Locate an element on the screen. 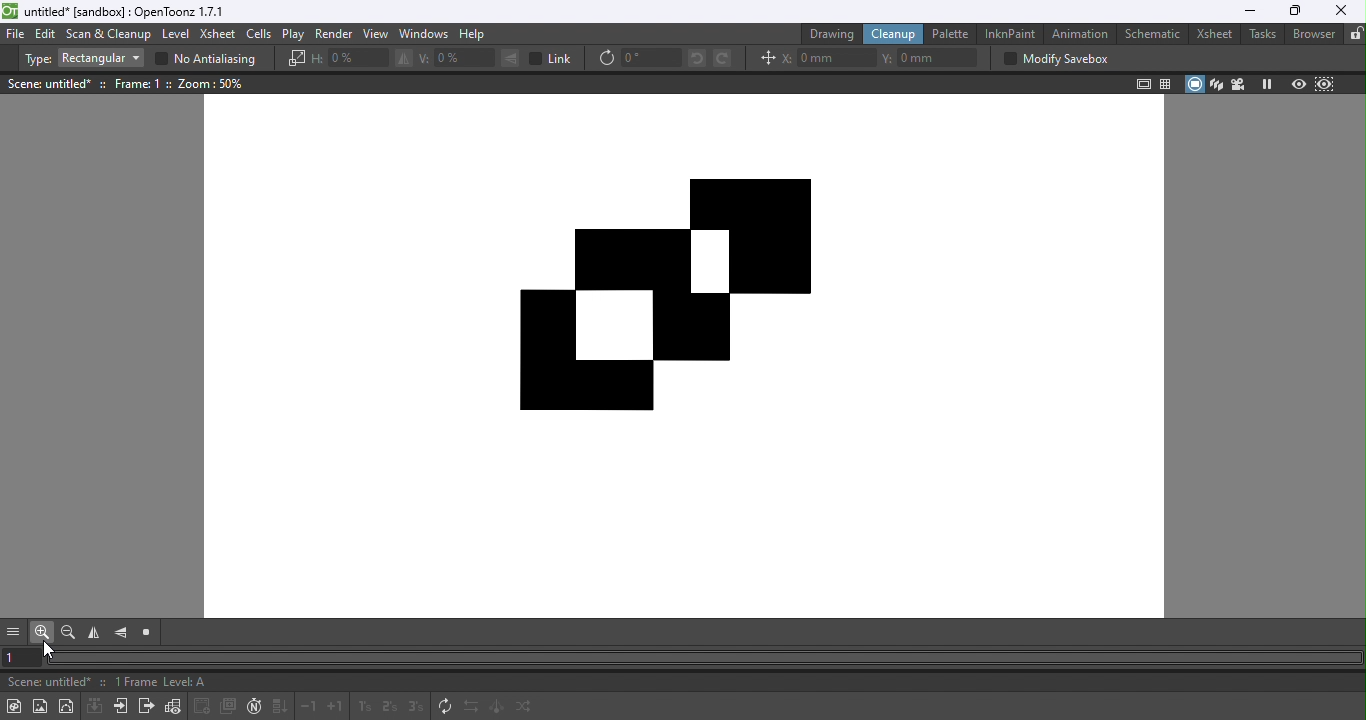 Image resolution: width=1366 pixels, height=720 pixels. Xsheet is located at coordinates (1210, 36).